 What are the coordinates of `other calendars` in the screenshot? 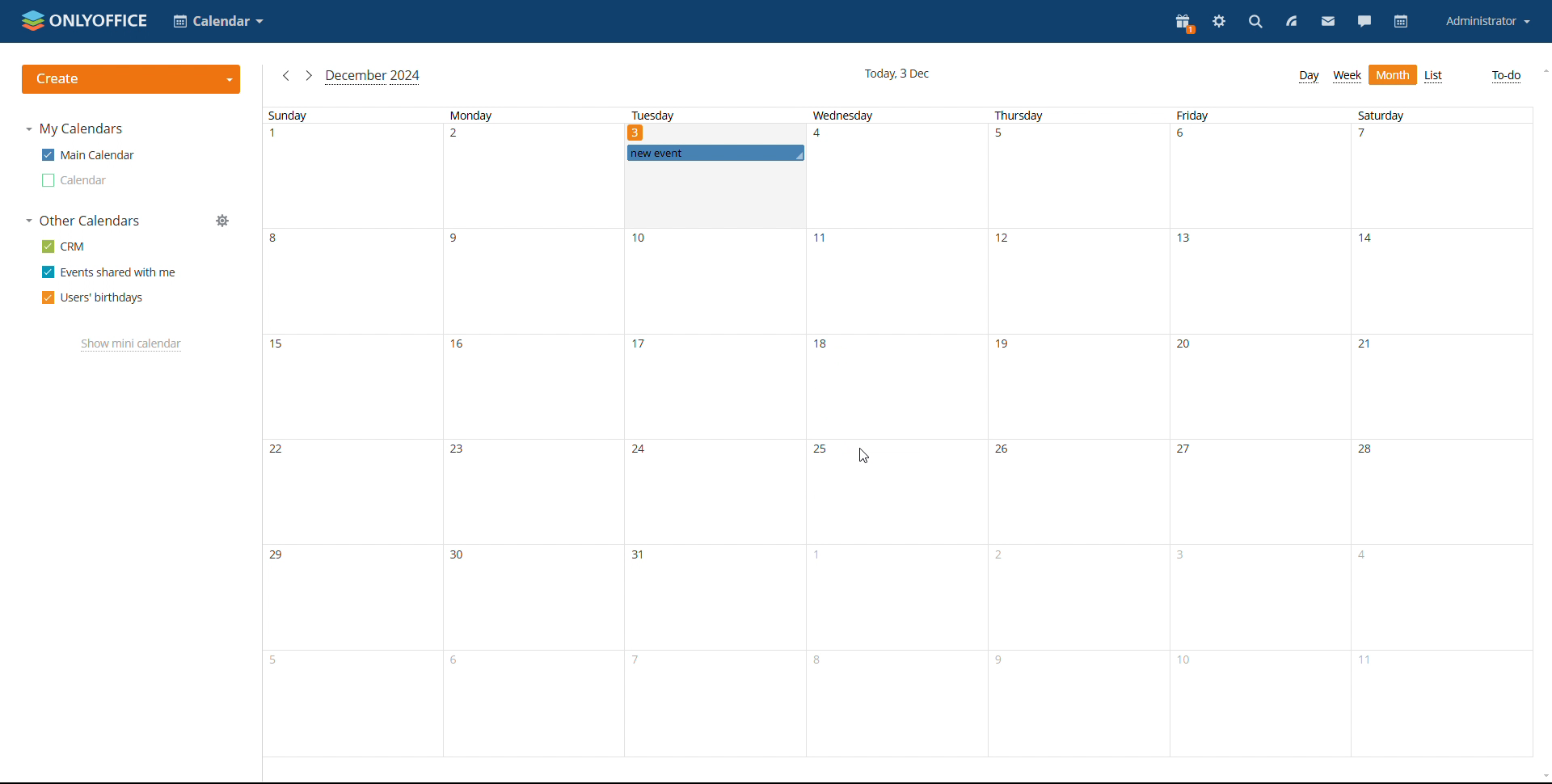 It's located at (82, 220).